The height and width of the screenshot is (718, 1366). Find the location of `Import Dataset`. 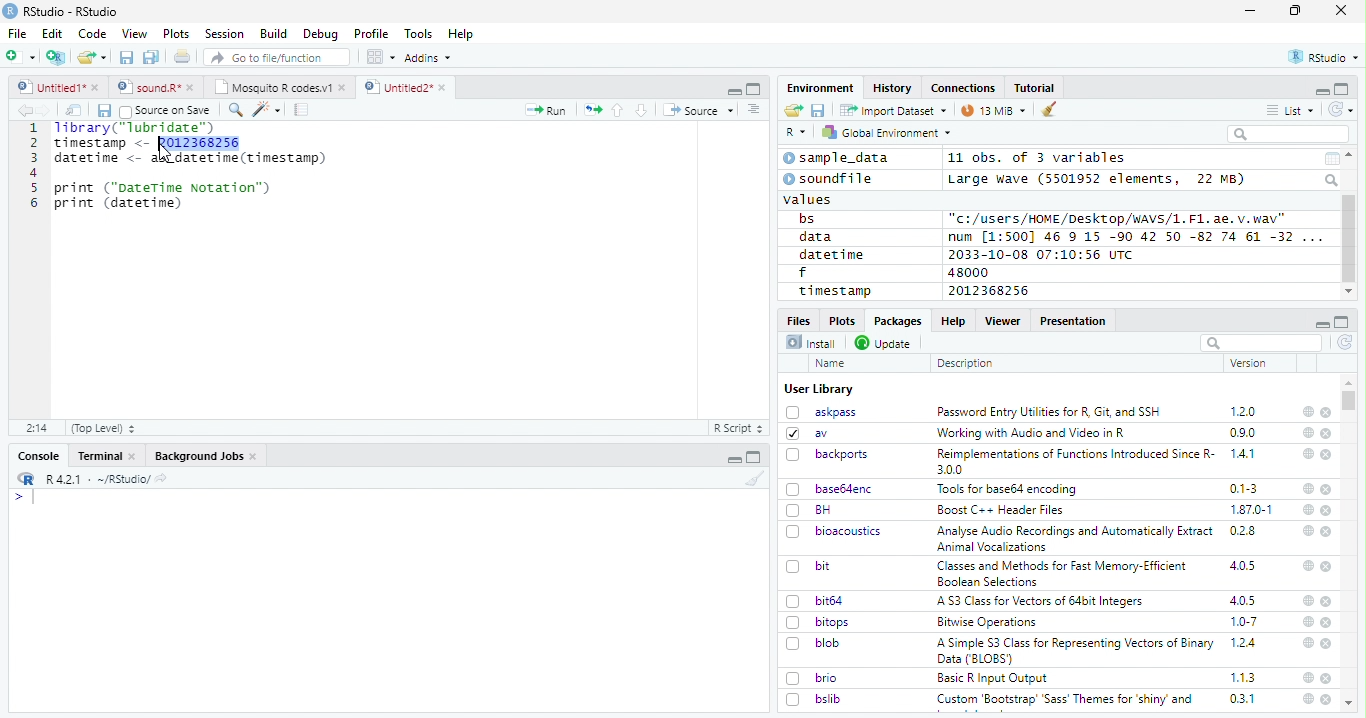

Import Dataset is located at coordinates (893, 110).